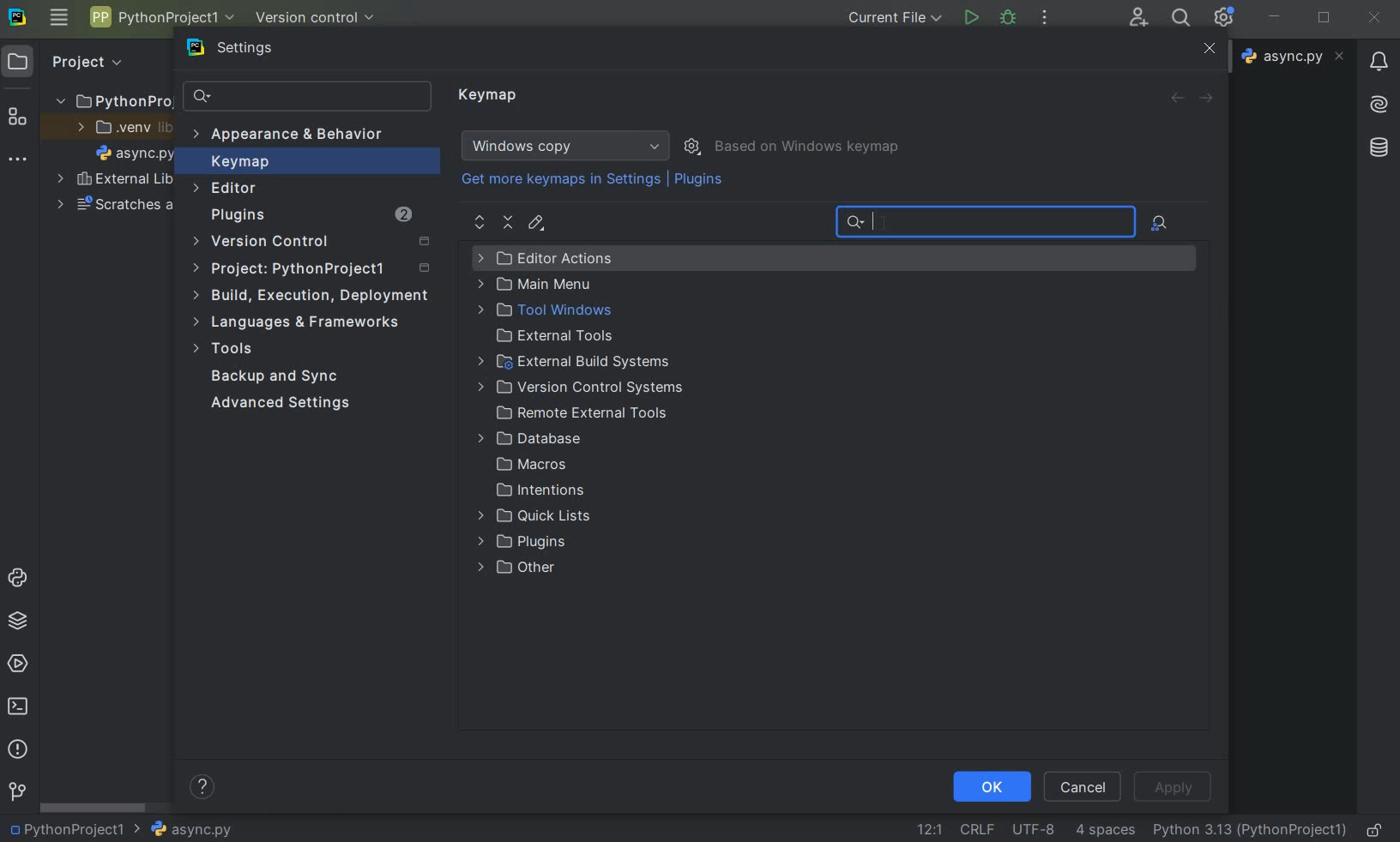 The image size is (1400, 842). Describe the element at coordinates (530, 440) in the screenshot. I see `database` at that location.